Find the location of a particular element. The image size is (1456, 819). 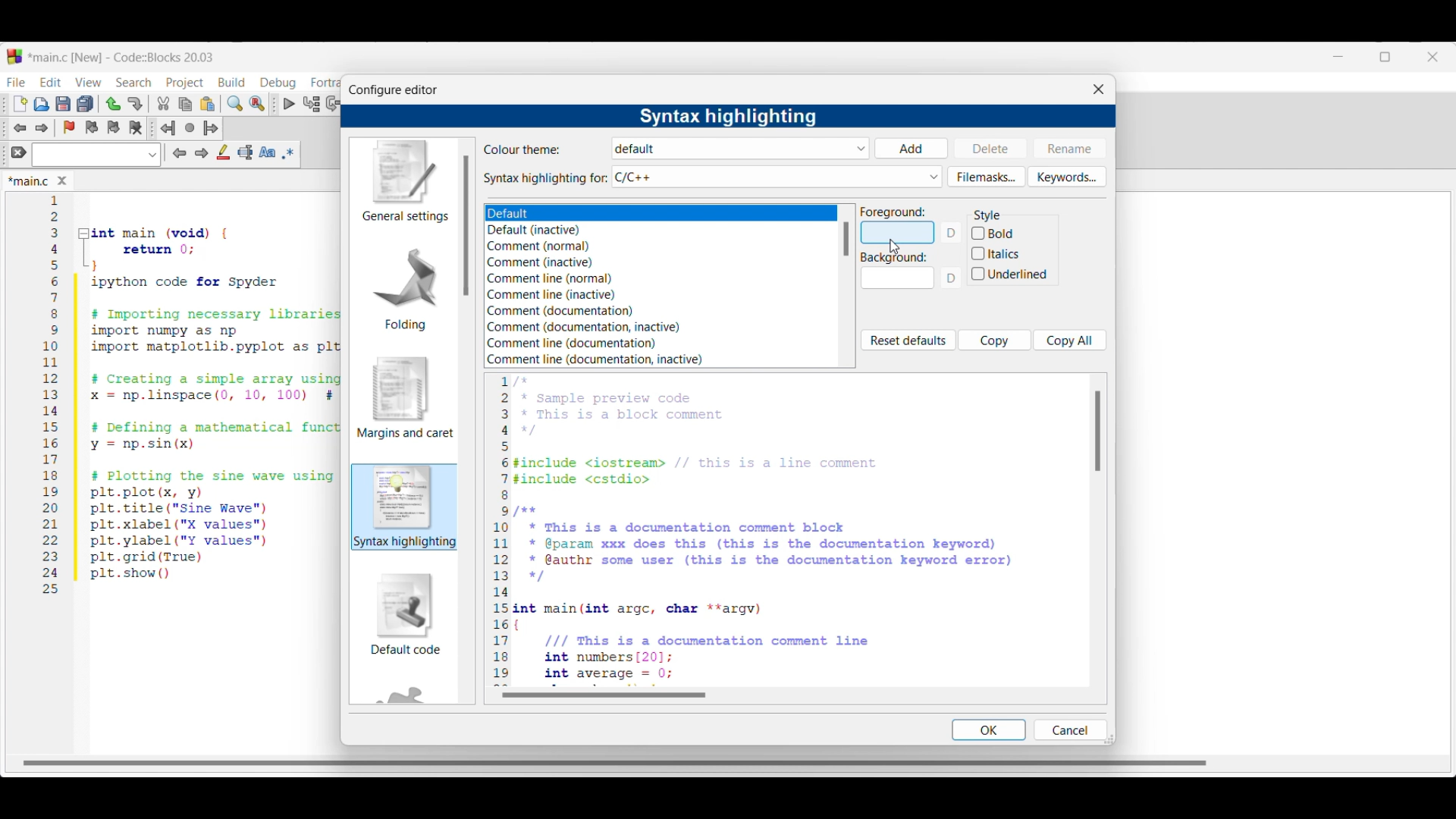

Settings title changed is located at coordinates (727, 117).